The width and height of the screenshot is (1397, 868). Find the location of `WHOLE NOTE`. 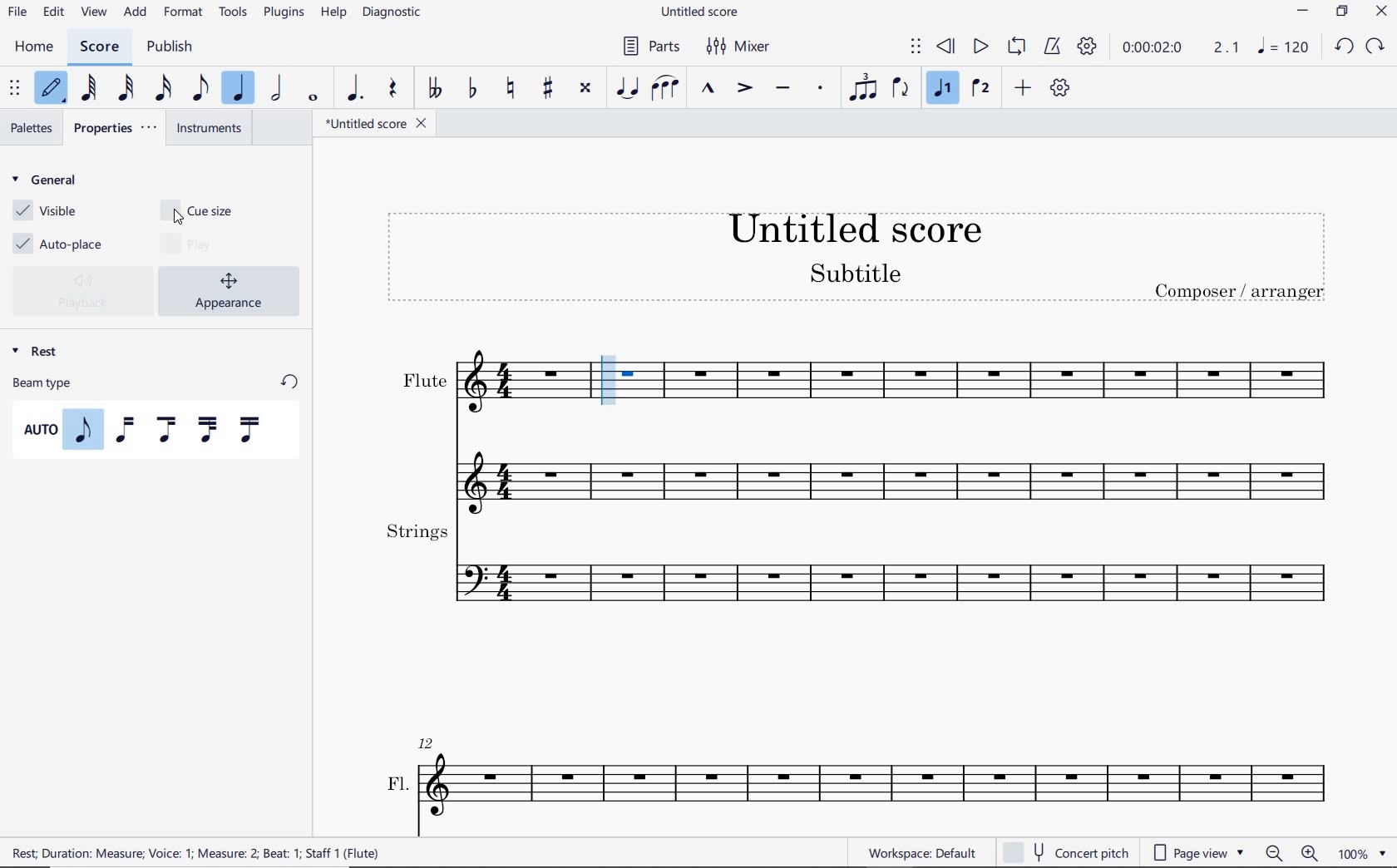

WHOLE NOTE is located at coordinates (313, 99).